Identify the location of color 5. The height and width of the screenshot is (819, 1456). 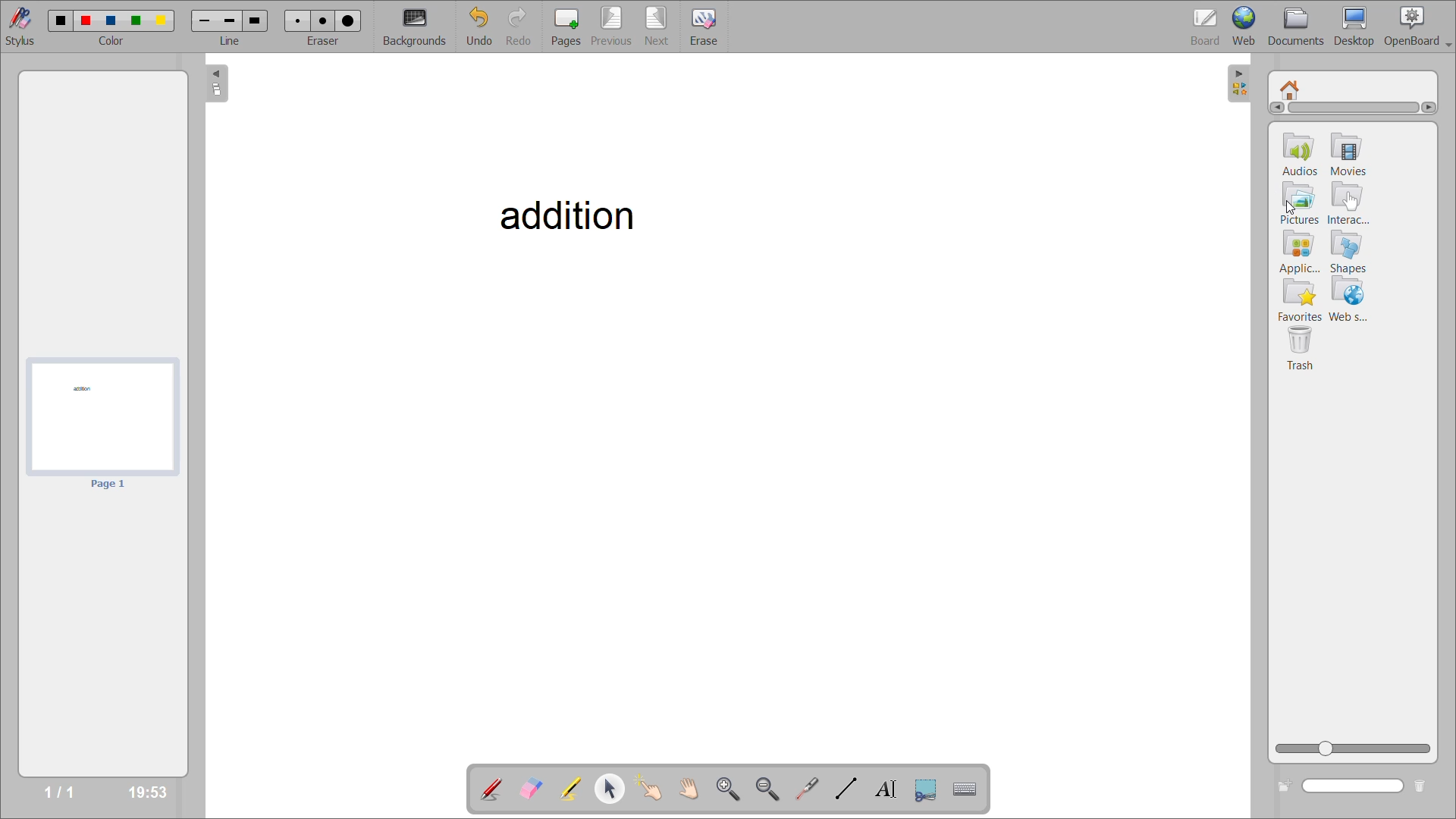
(162, 22).